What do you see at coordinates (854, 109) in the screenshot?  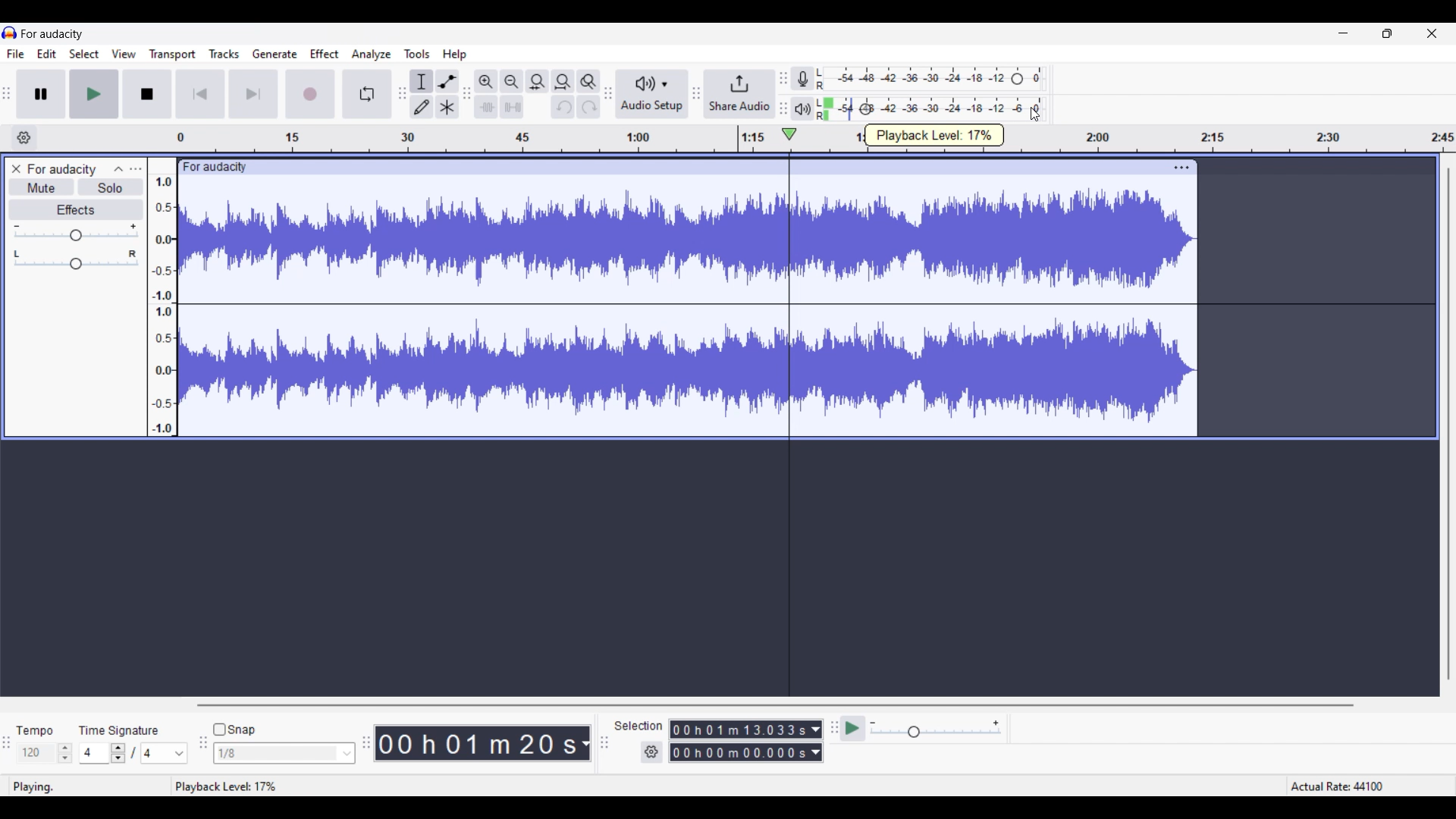 I see `Current level of playback` at bounding box center [854, 109].